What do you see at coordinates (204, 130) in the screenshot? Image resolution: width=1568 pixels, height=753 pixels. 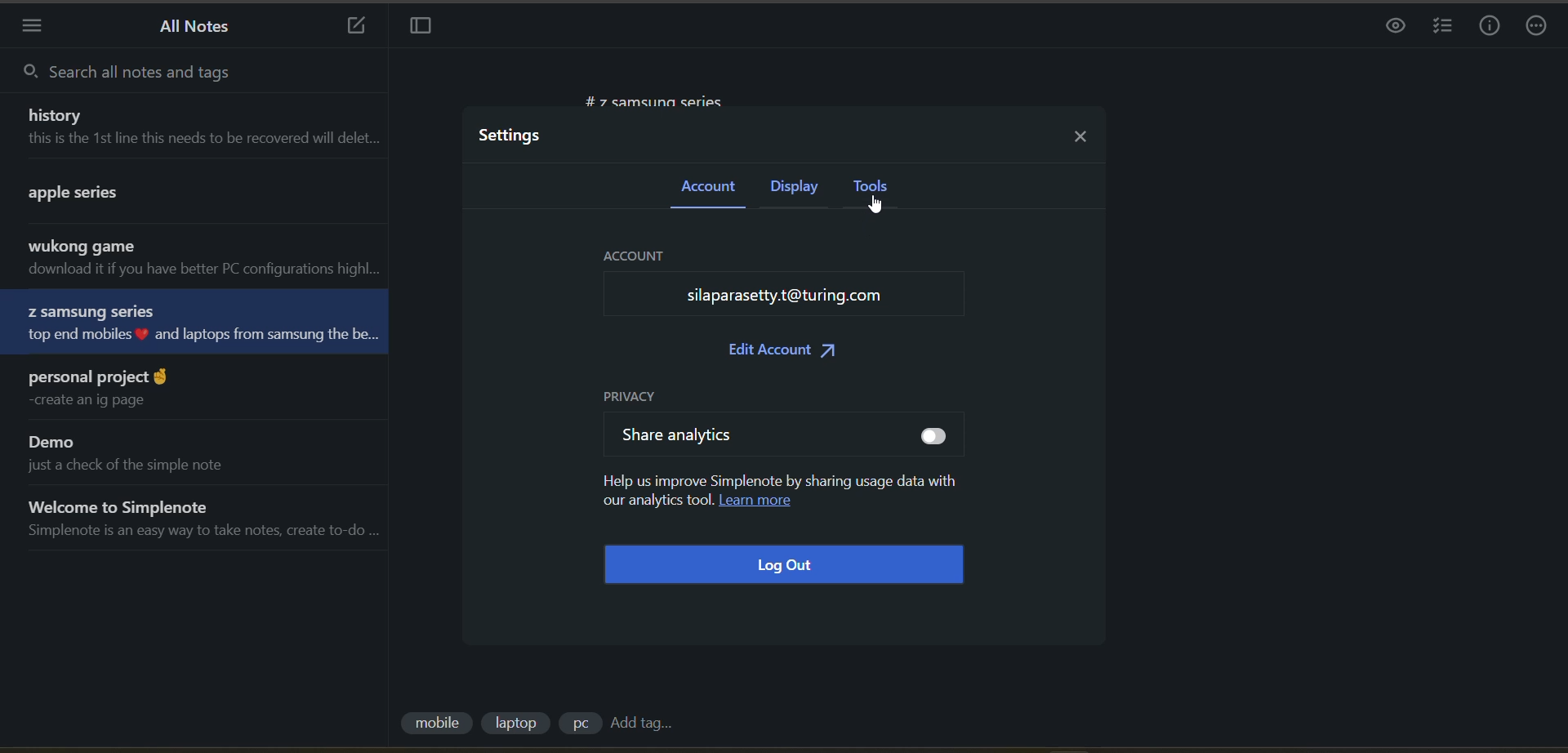 I see `note title and preview` at bounding box center [204, 130].